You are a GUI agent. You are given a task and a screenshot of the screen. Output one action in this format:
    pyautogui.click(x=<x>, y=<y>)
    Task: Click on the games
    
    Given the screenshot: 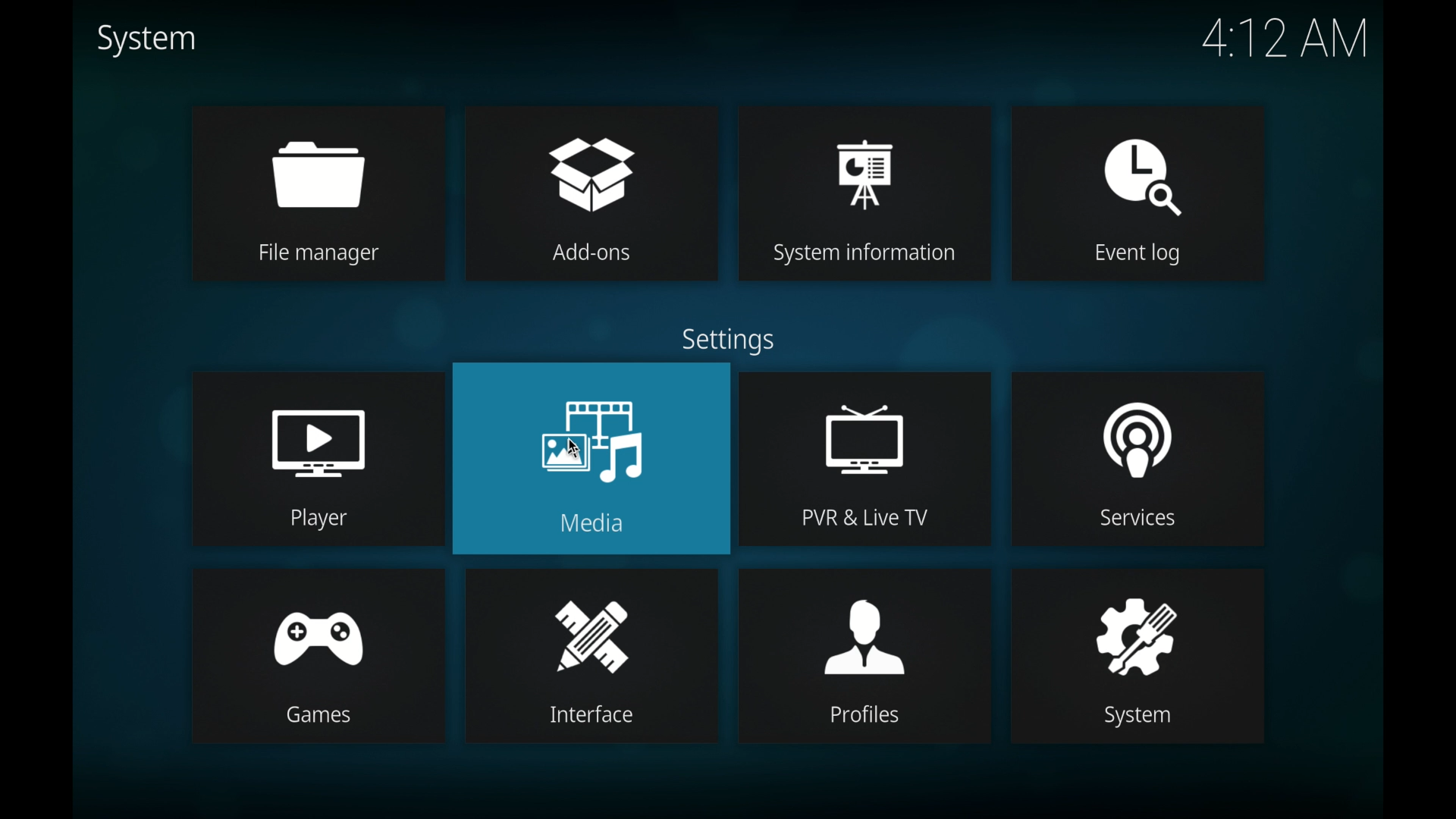 What is the action you would take?
    pyautogui.click(x=317, y=621)
    